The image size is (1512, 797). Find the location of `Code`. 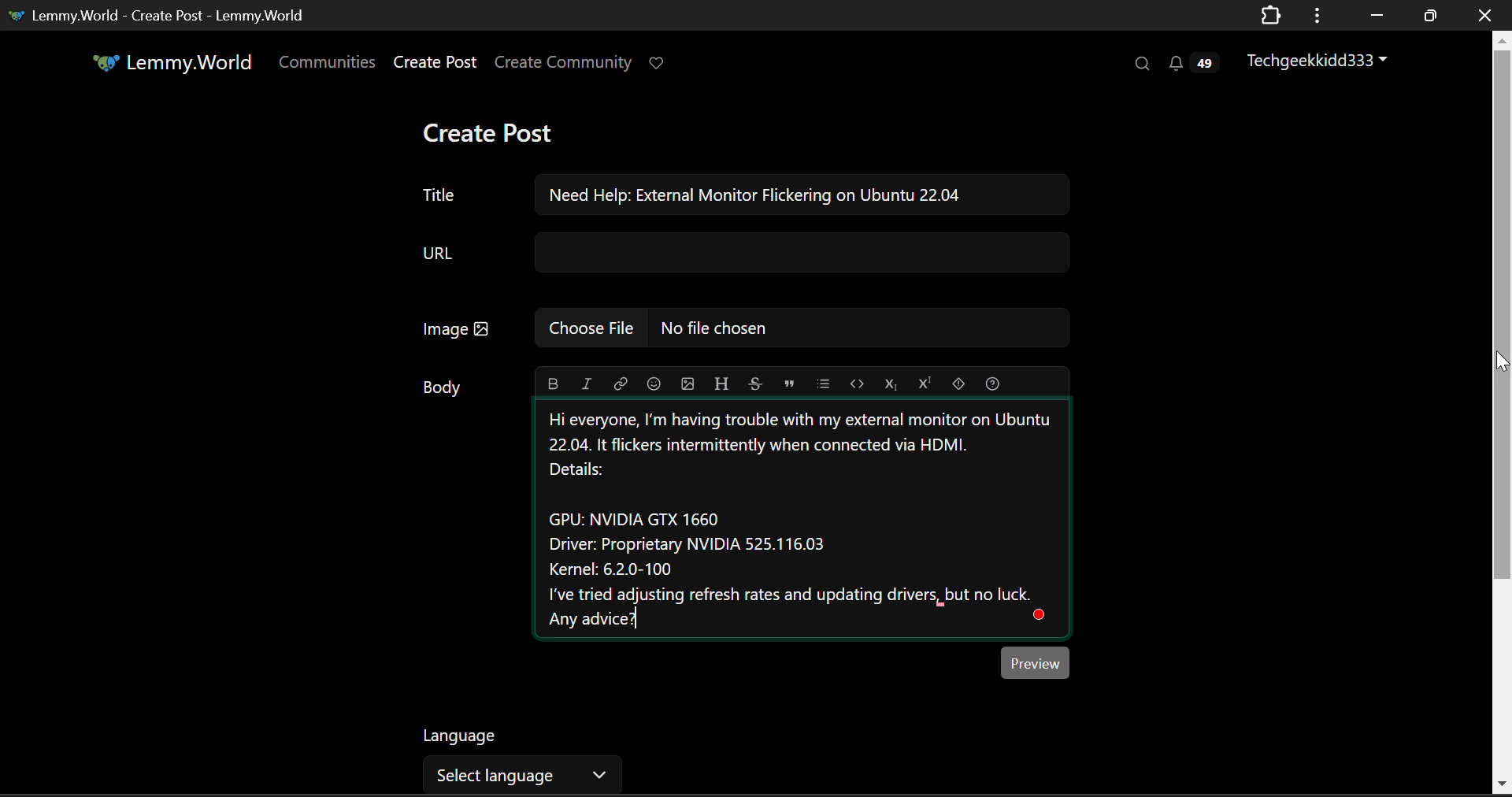

Code is located at coordinates (856, 384).